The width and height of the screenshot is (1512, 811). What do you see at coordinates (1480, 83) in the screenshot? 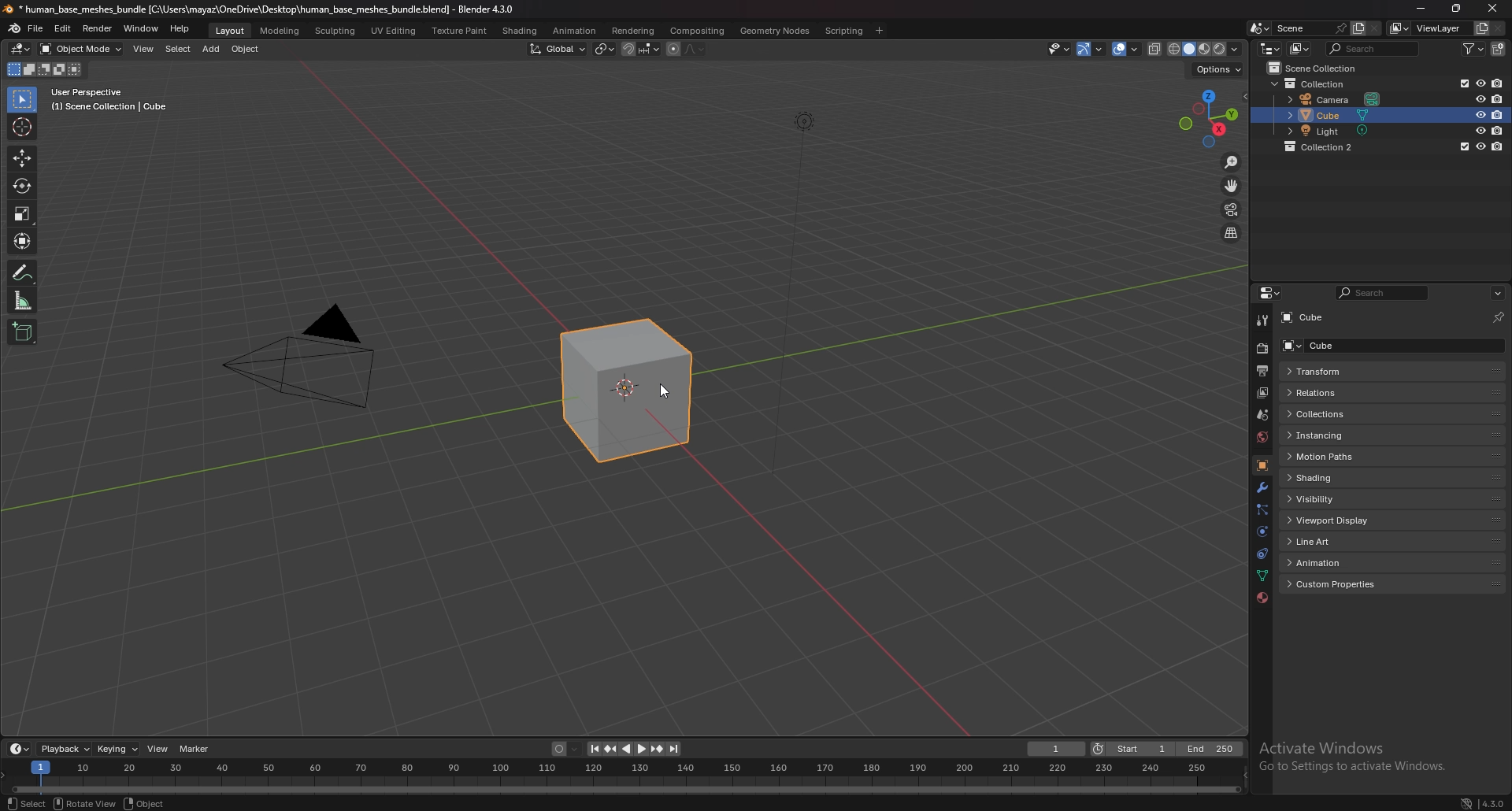
I see `hide in viewport` at bounding box center [1480, 83].